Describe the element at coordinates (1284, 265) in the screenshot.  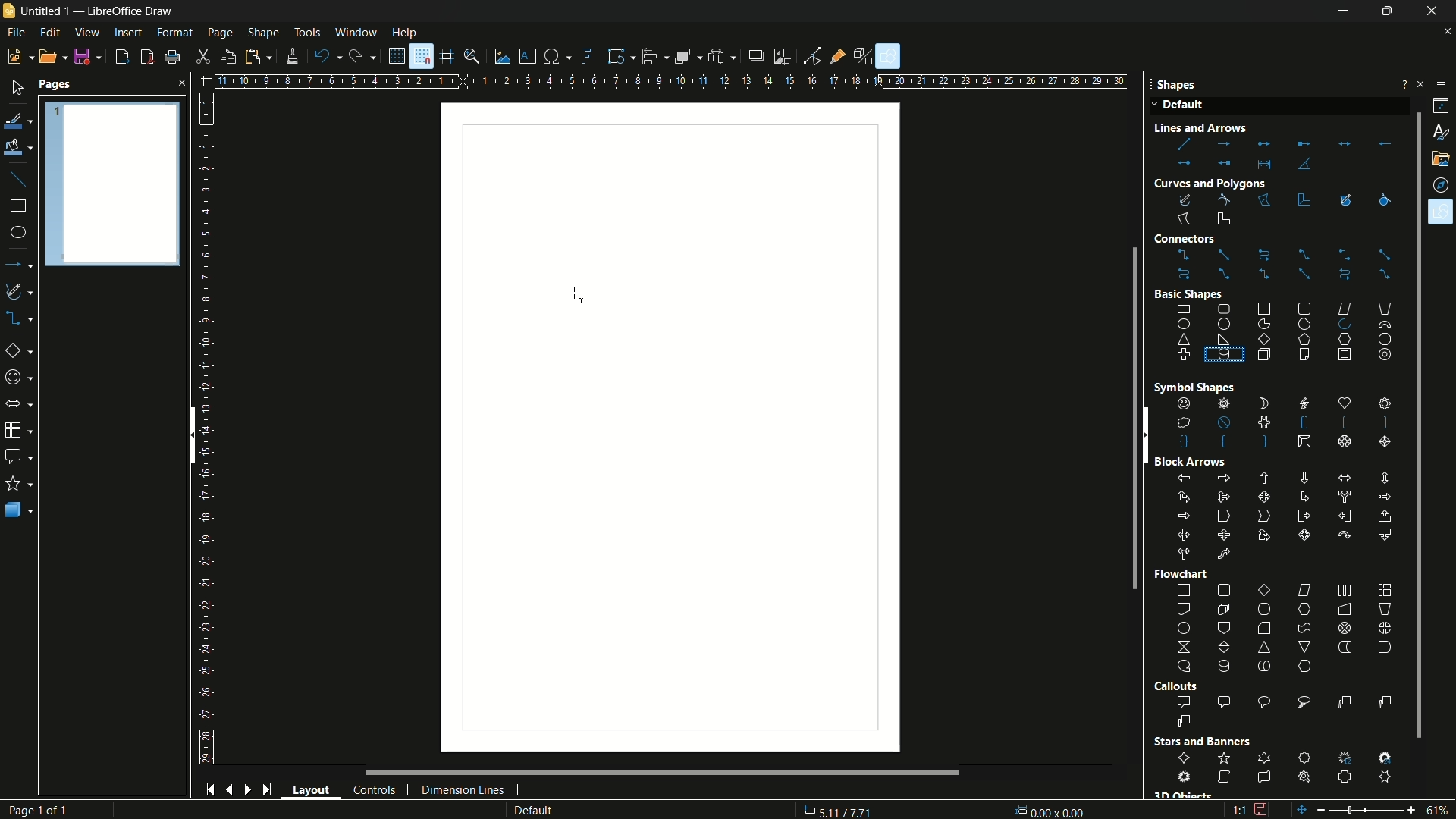
I see `connectors` at that location.